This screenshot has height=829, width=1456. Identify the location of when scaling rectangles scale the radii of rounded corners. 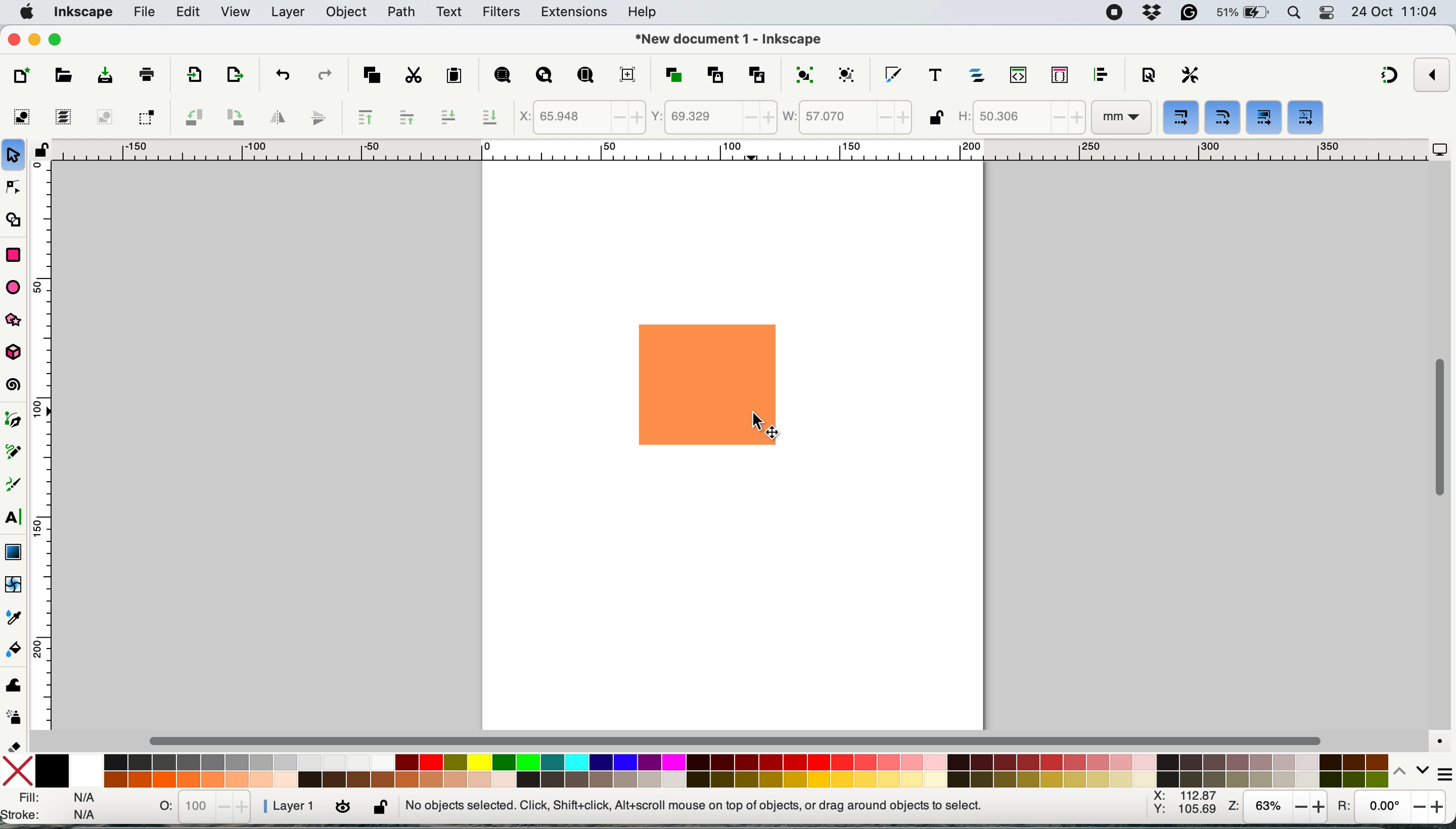
(1221, 118).